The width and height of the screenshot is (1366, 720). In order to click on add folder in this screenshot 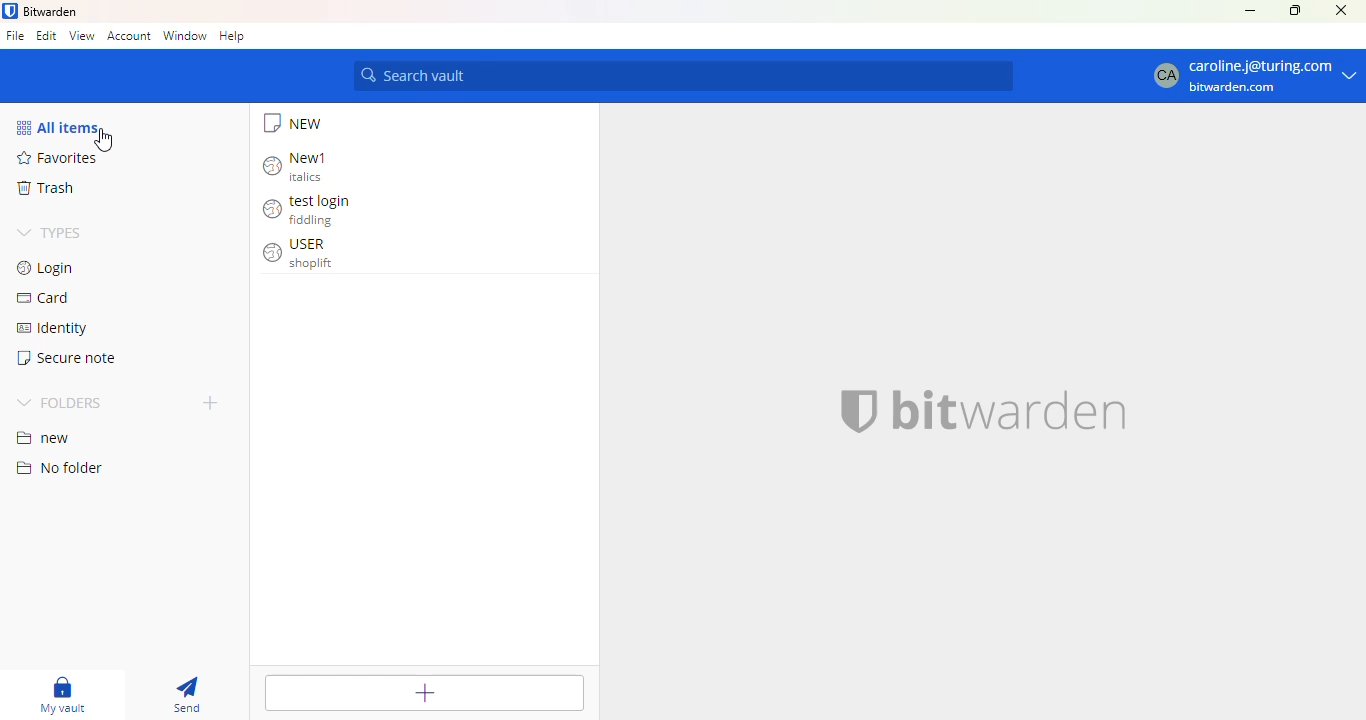, I will do `click(210, 403)`.